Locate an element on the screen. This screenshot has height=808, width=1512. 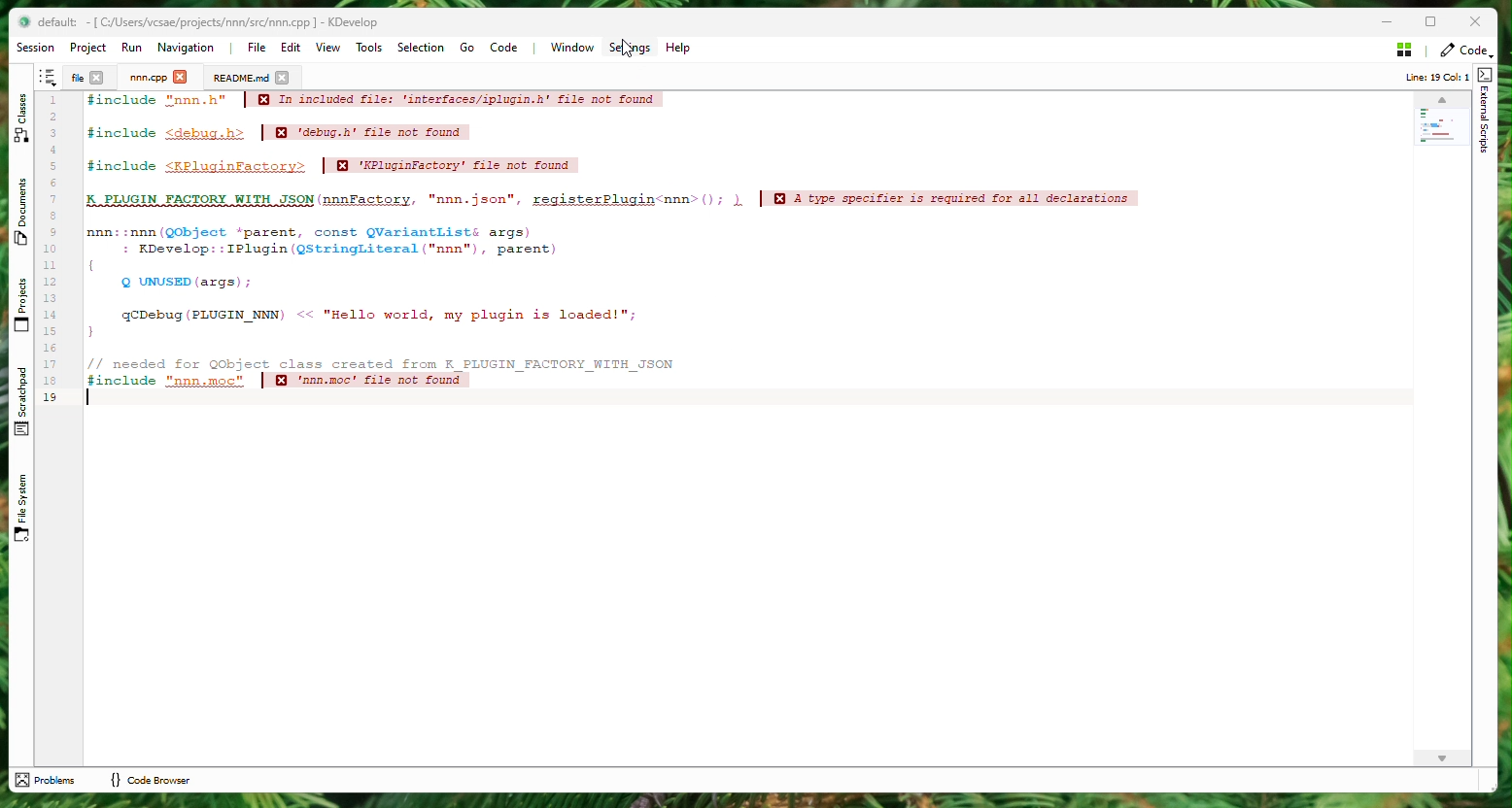
Projects is located at coordinates (23, 307).